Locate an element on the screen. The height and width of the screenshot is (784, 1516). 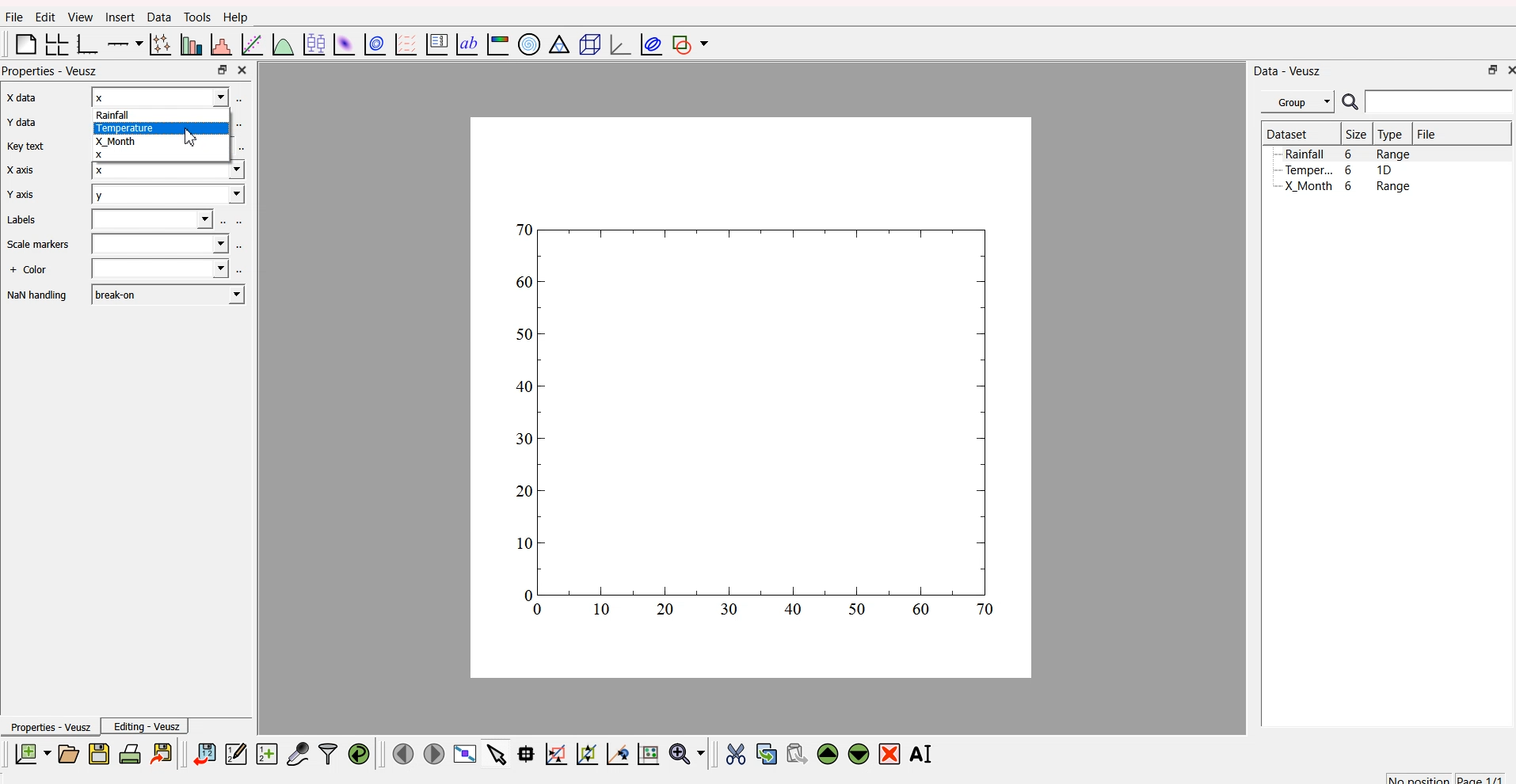
add shape to plot is located at coordinates (693, 45).